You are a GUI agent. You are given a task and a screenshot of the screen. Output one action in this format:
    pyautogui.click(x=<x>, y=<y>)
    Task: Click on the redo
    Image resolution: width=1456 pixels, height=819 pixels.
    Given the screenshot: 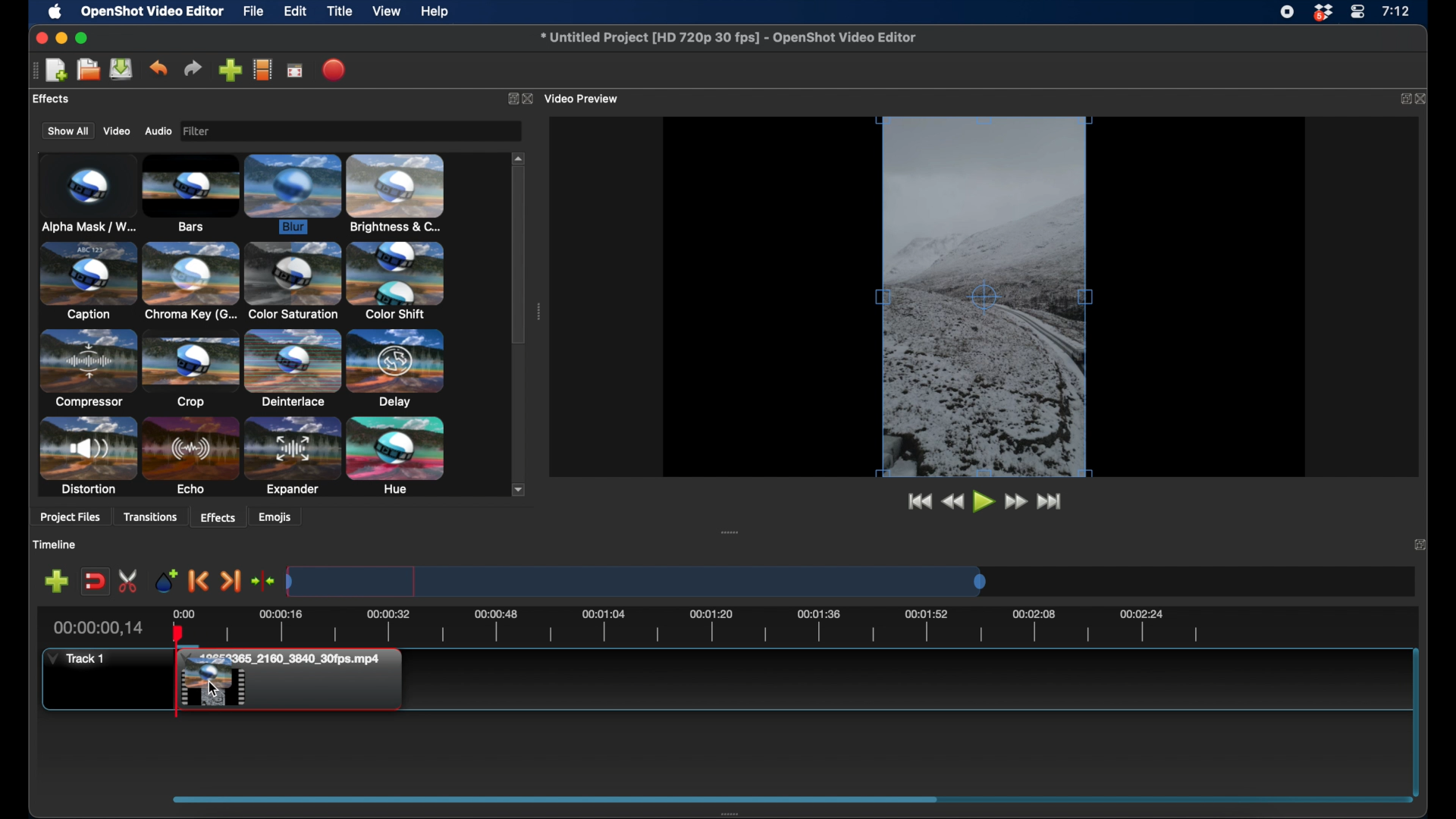 What is the action you would take?
    pyautogui.click(x=193, y=68)
    